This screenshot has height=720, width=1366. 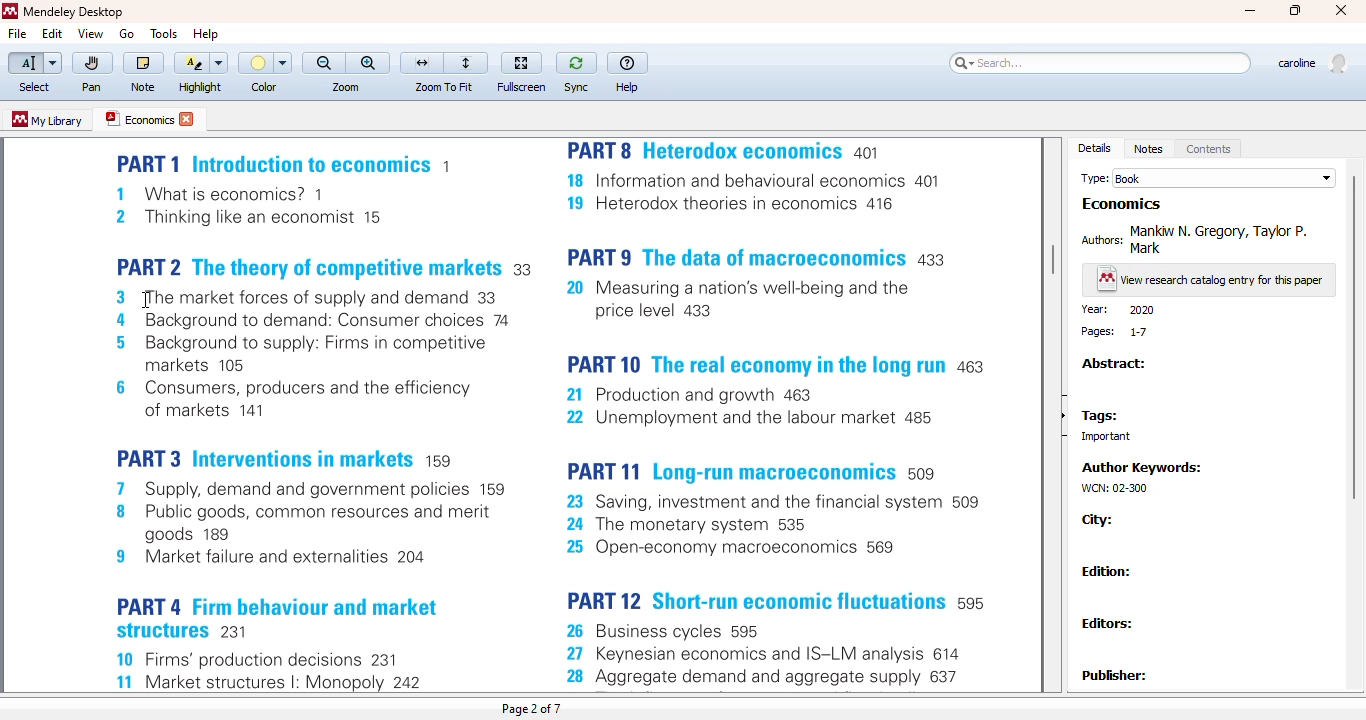 What do you see at coordinates (521, 87) in the screenshot?
I see `Fullscreen` at bounding box center [521, 87].